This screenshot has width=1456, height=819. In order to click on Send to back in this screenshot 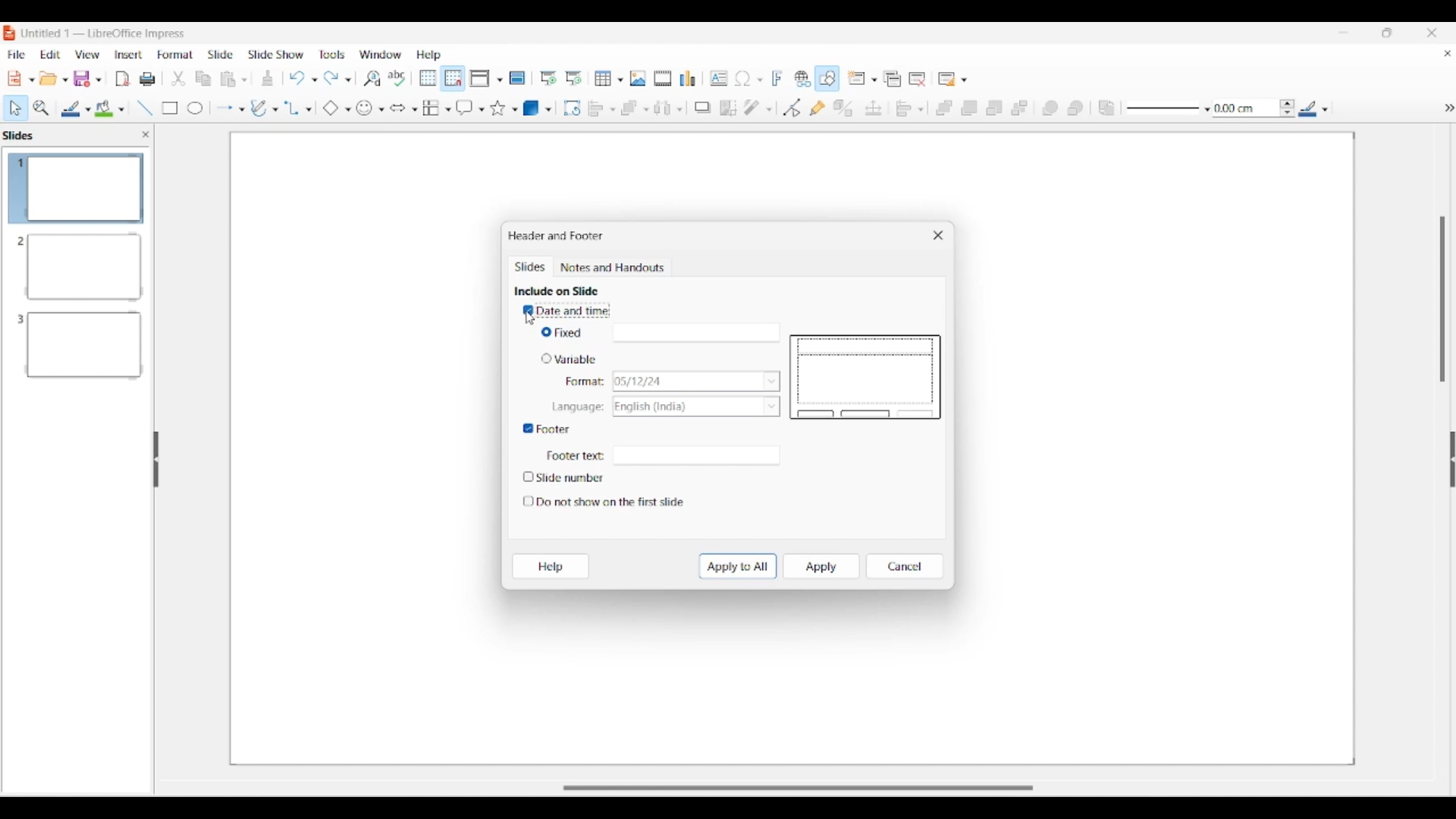, I will do `click(1019, 108)`.